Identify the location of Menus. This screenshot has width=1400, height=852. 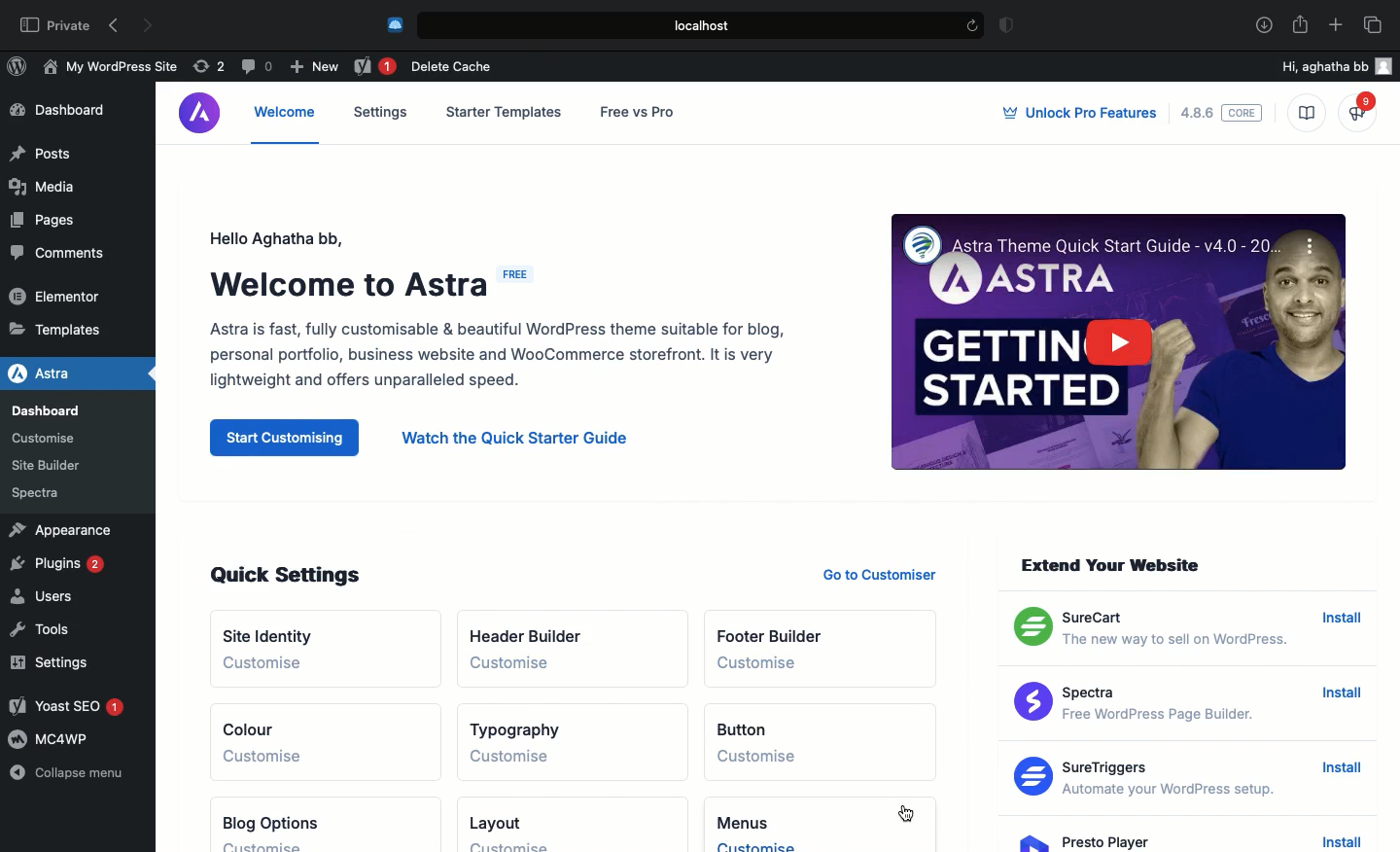
(744, 821).